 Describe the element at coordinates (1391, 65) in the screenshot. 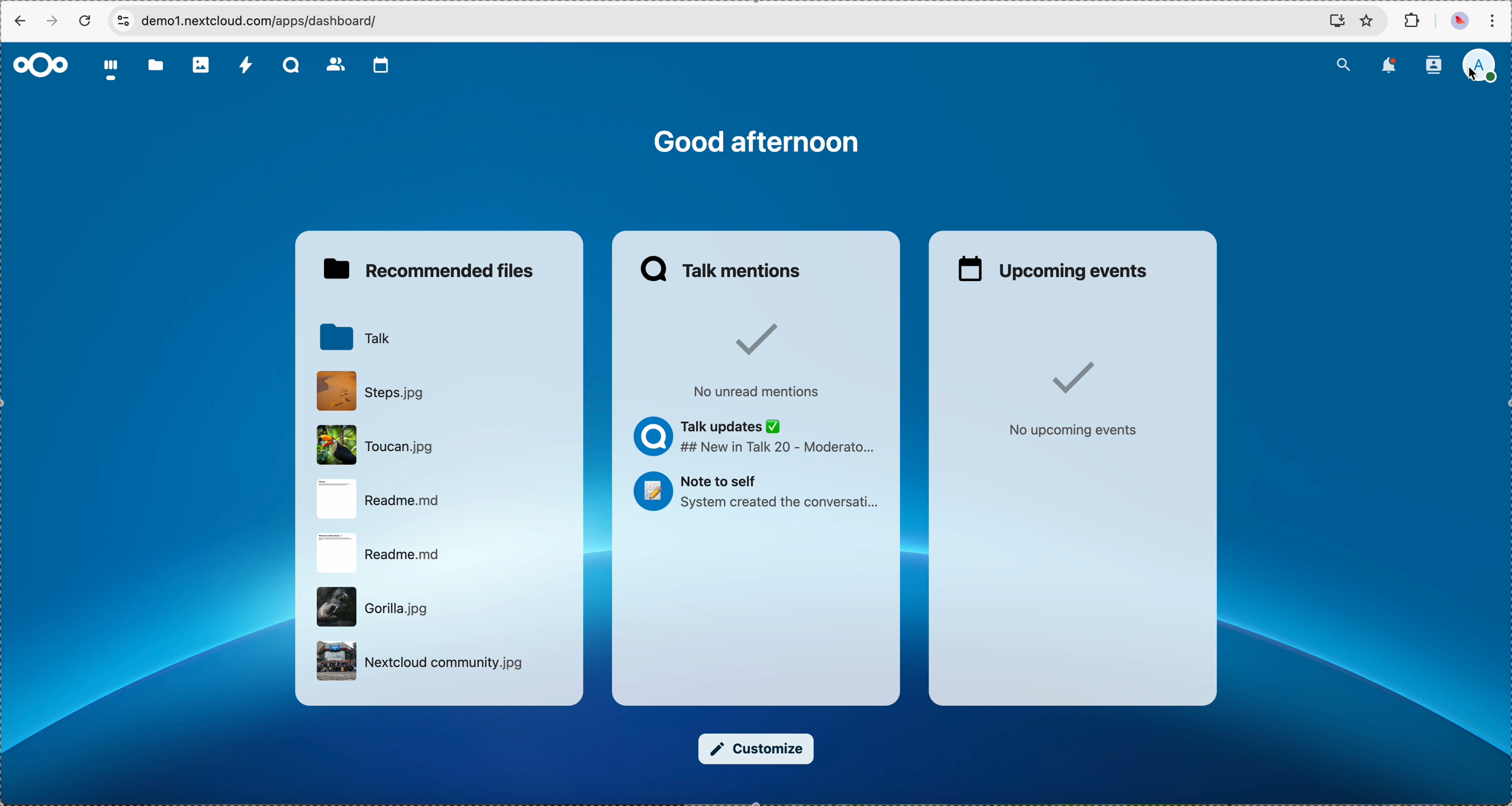

I see `notifications` at that location.